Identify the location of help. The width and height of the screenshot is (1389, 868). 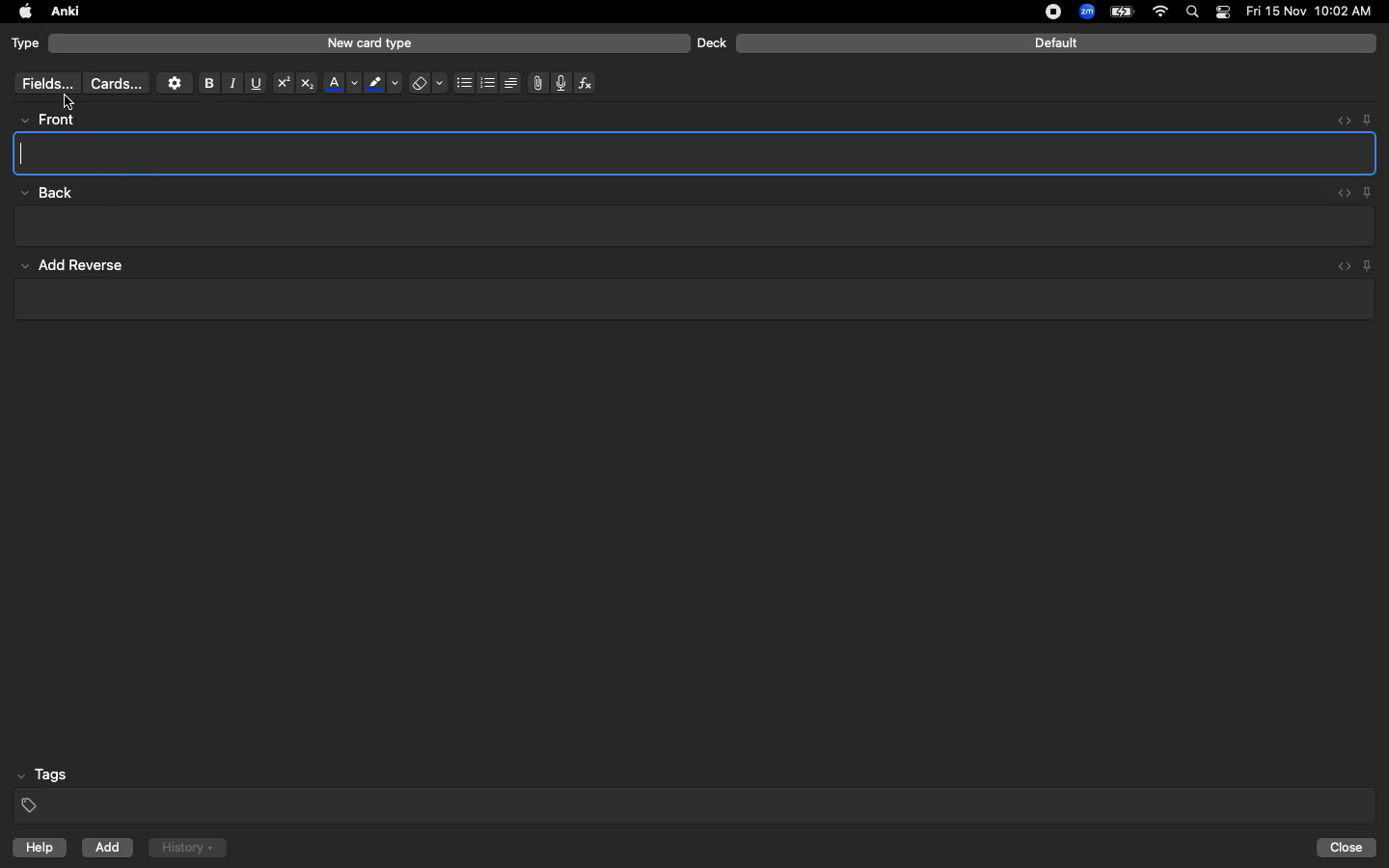
(36, 850).